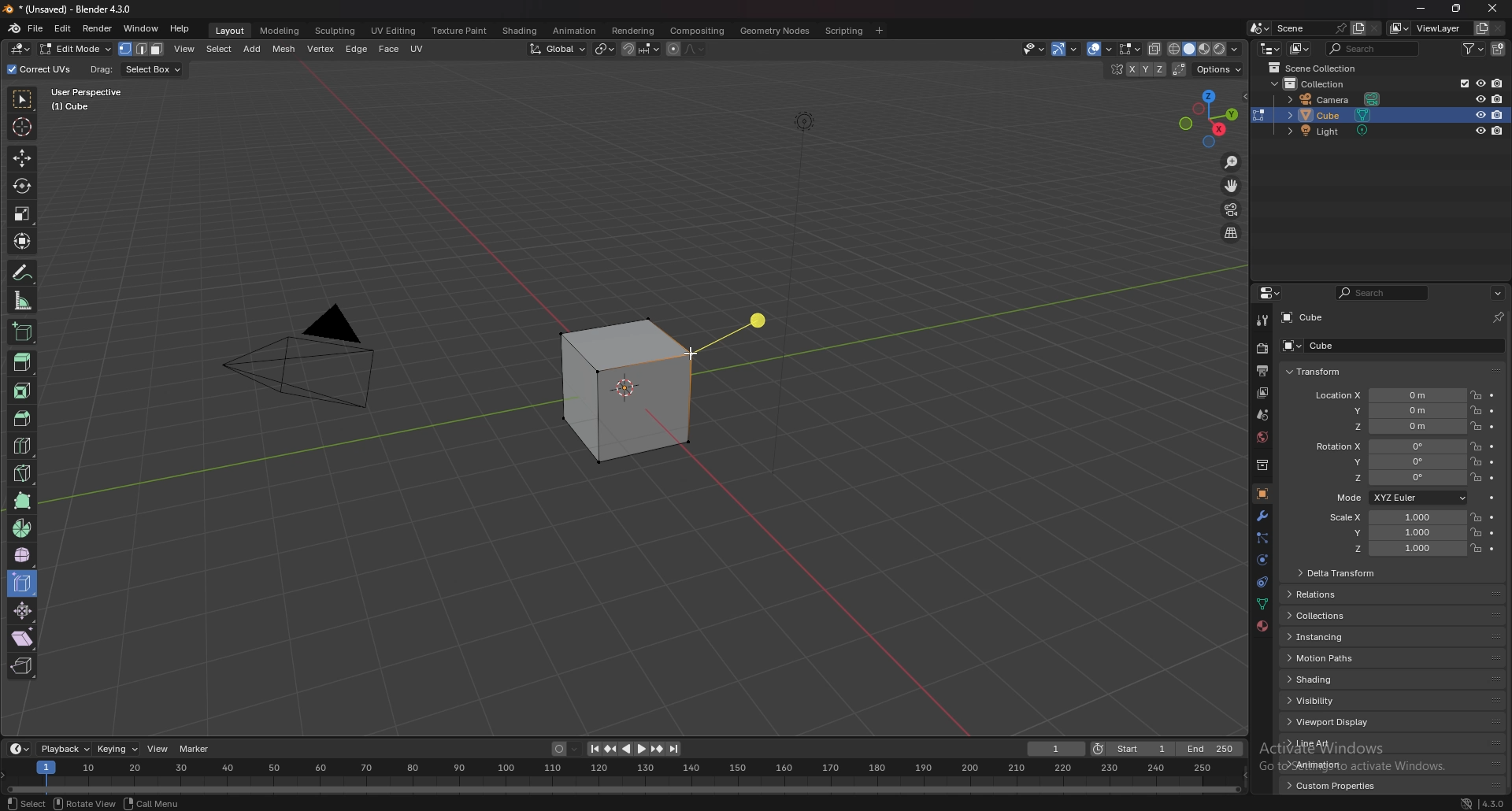 The width and height of the screenshot is (1512, 811). Describe the element at coordinates (1316, 371) in the screenshot. I see `transform` at that location.